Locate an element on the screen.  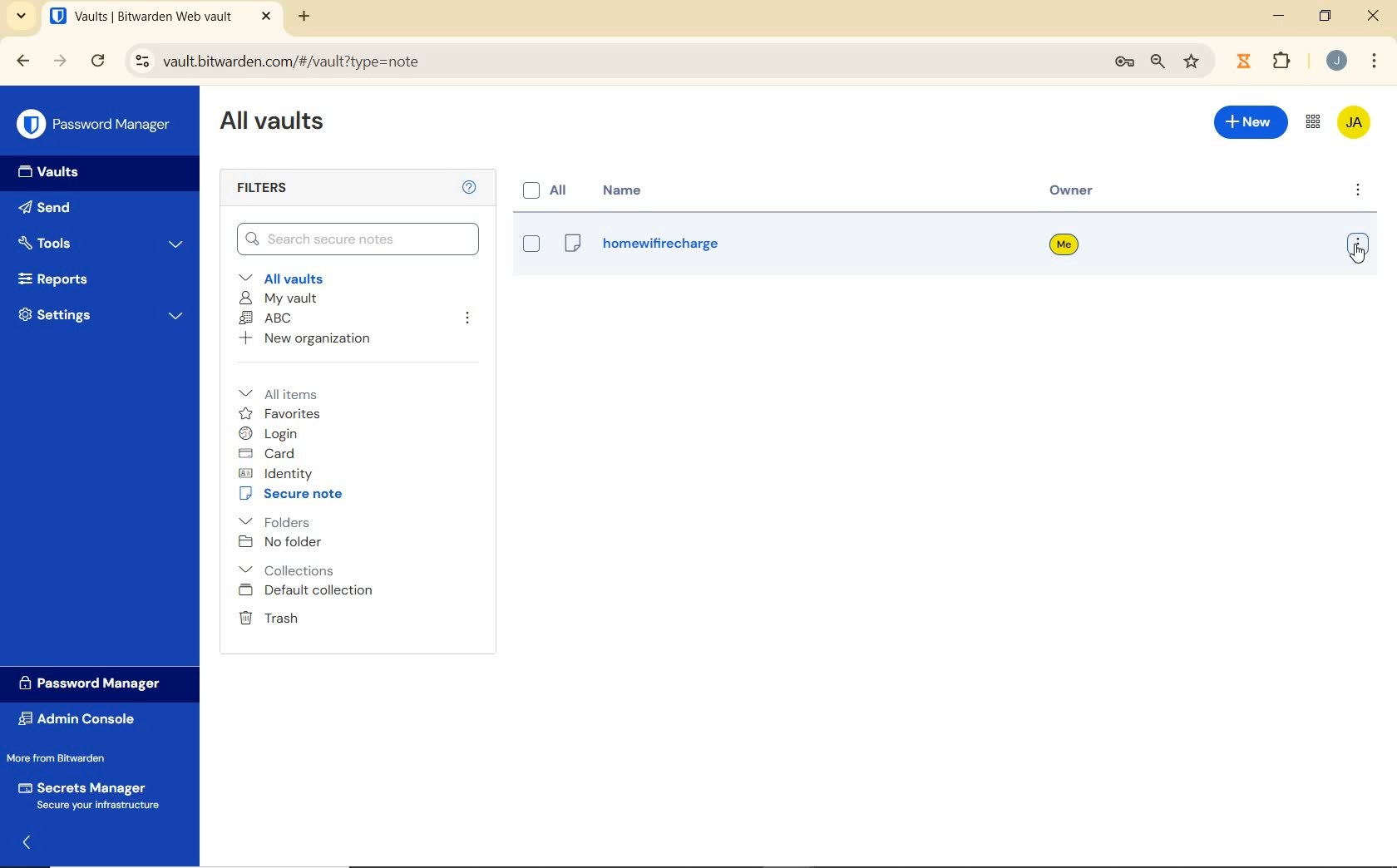
zoom is located at coordinates (1158, 63).